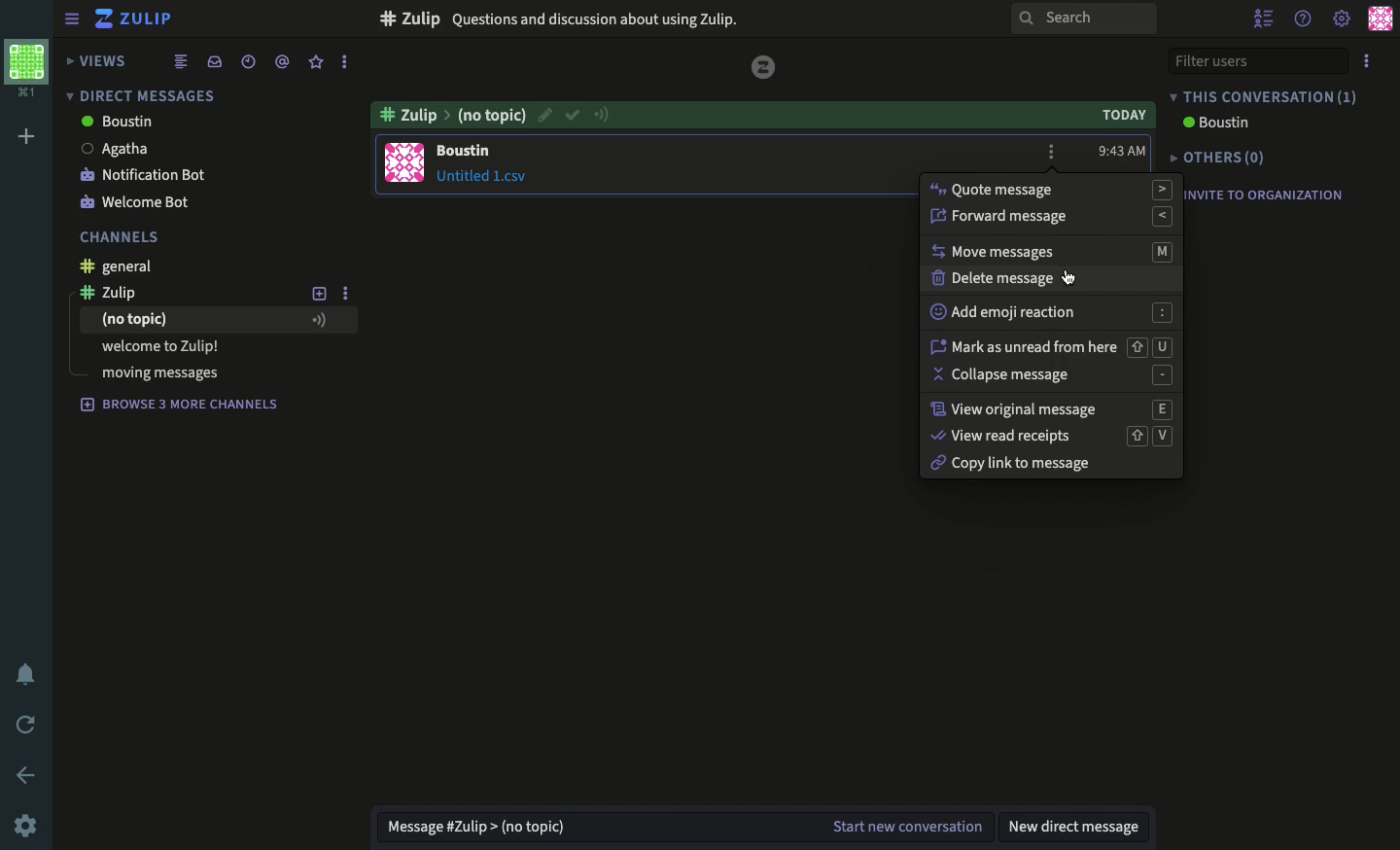  Describe the element at coordinates (320, 294) in the screenshot. I see `add new topic` at that location.